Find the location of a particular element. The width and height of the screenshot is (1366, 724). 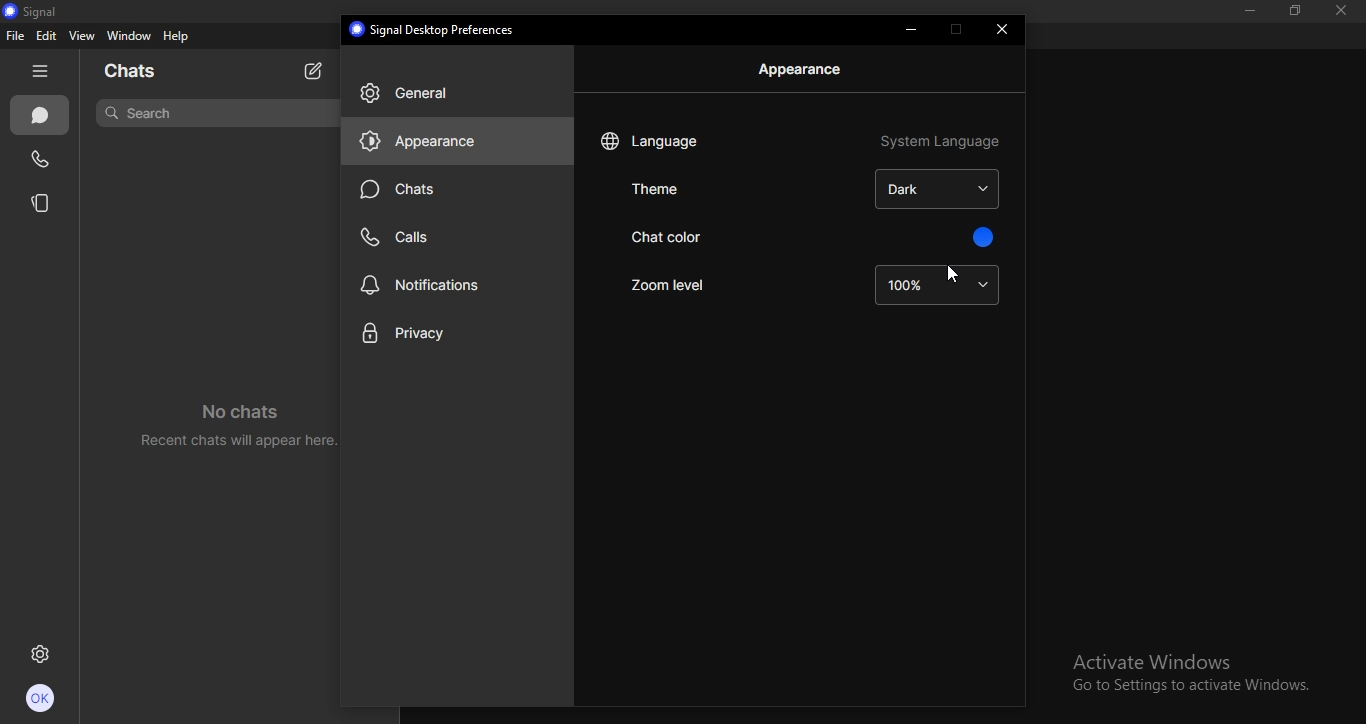

privacy is located at coordinates (424, 333).